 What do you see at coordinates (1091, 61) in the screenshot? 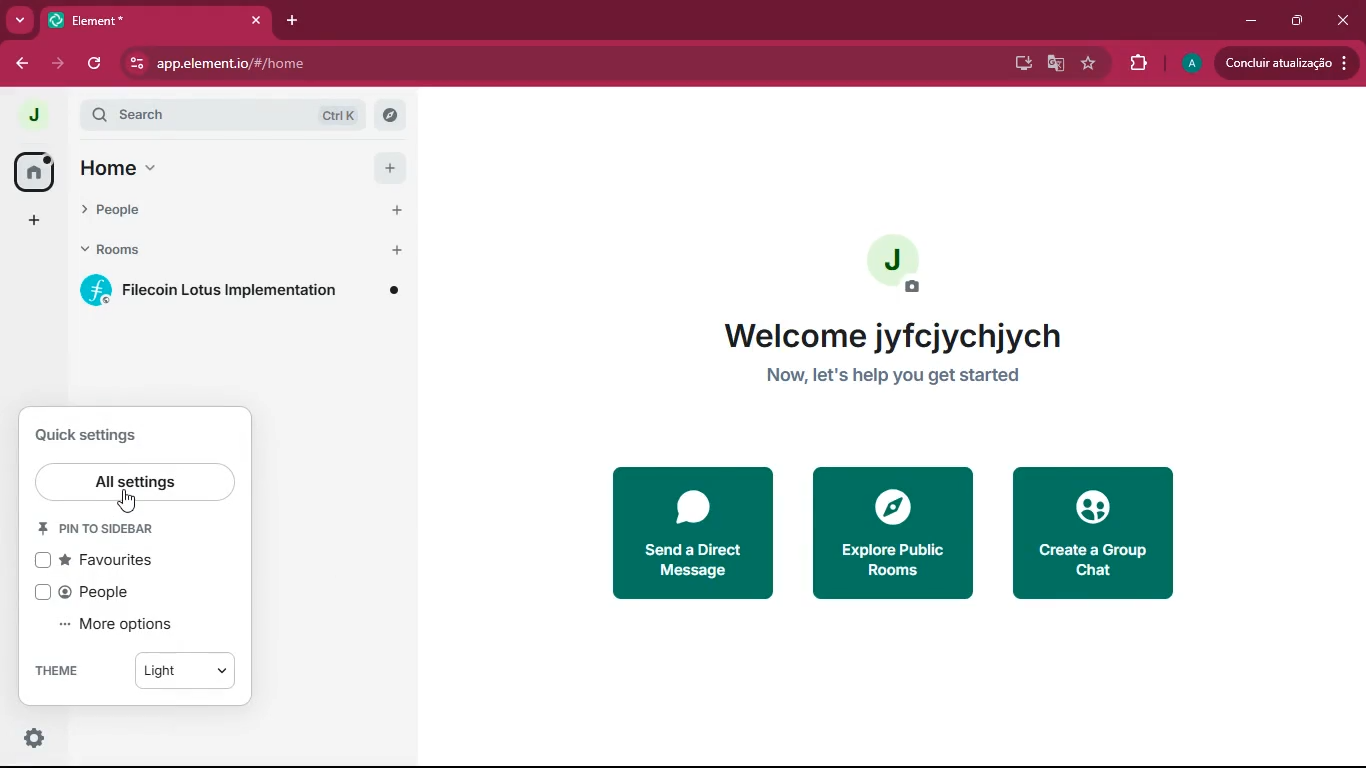
I see `favourite` at bounding box center [1091, 61].